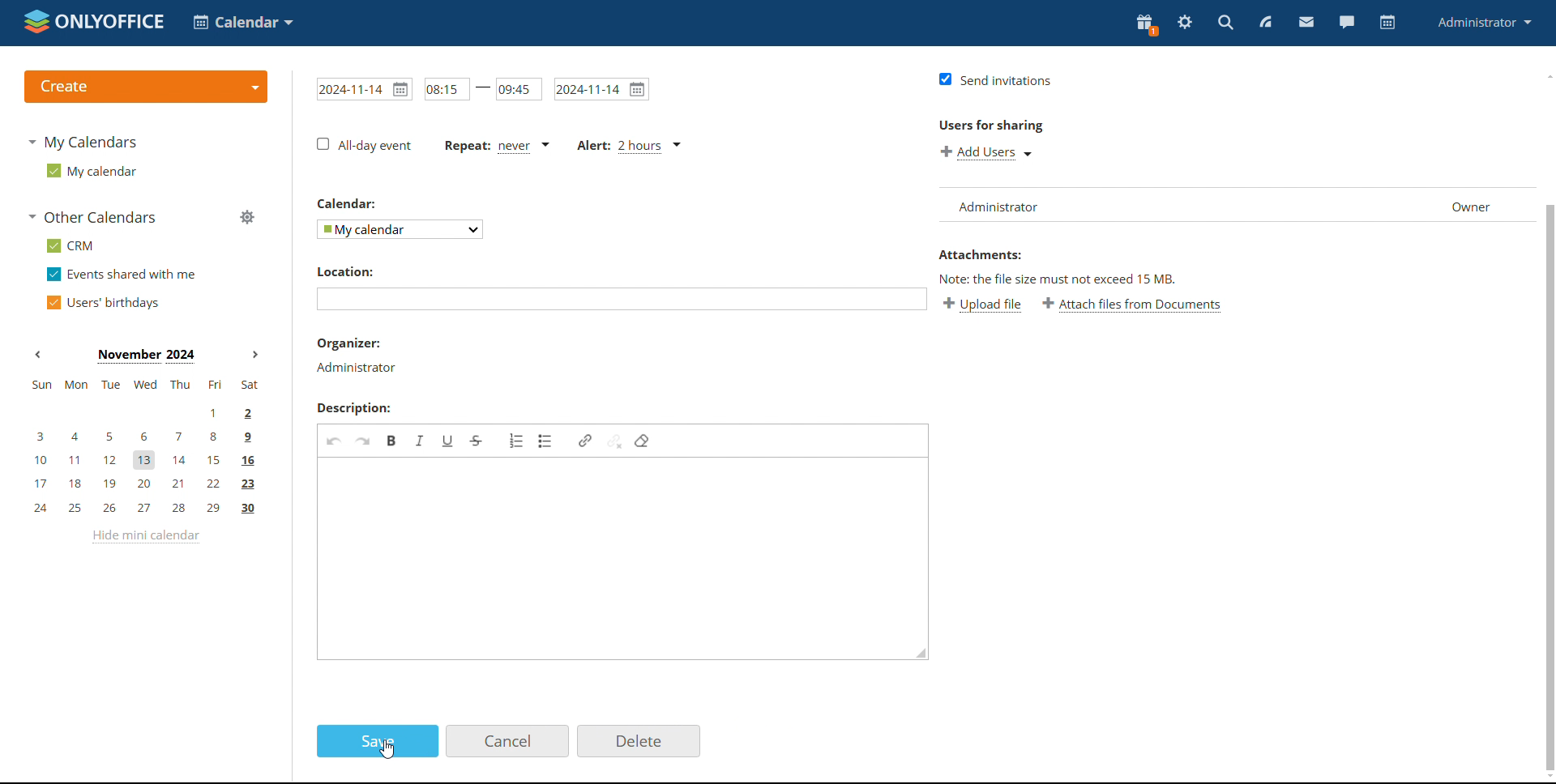 This screenshot has width=1556, height=784. I want to click on add location, so click(622, 299).